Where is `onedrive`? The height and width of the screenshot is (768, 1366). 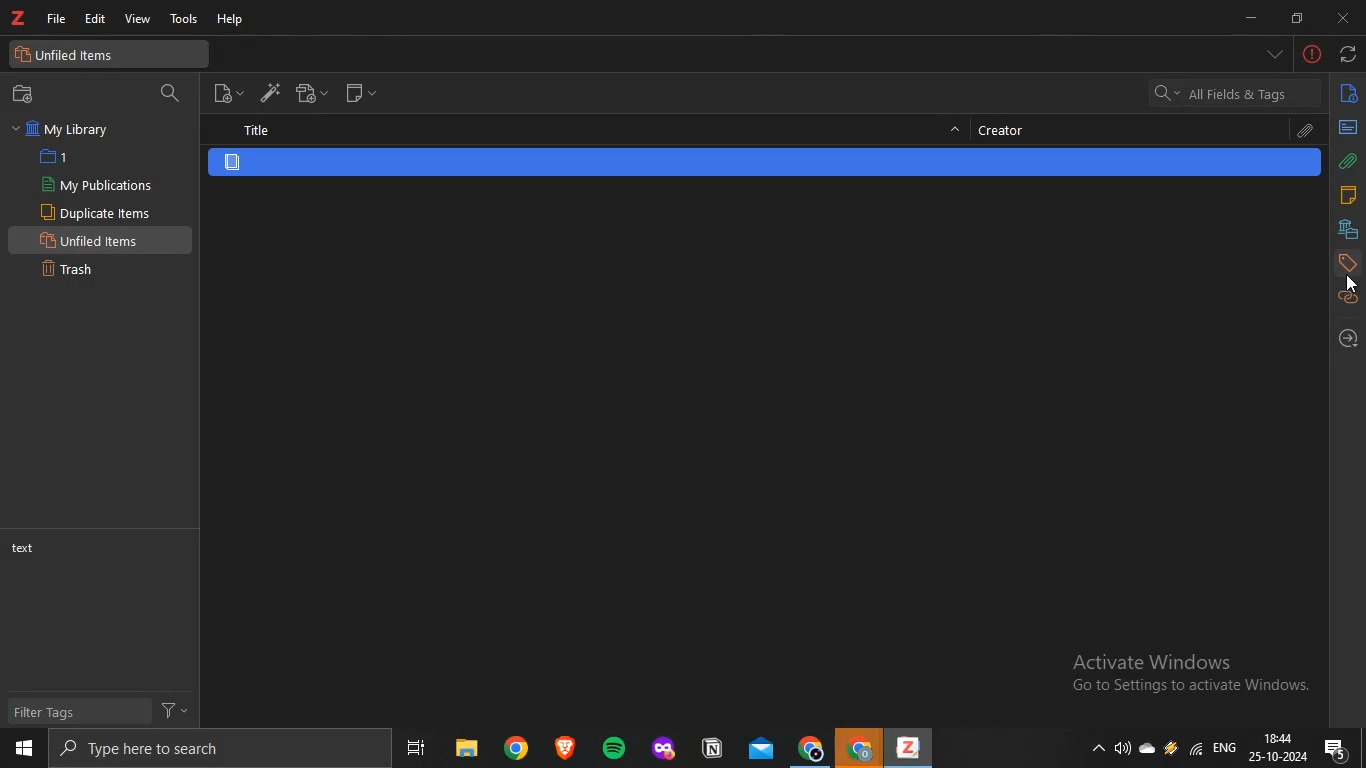
onedrive is located at coordinates (1145, 748).